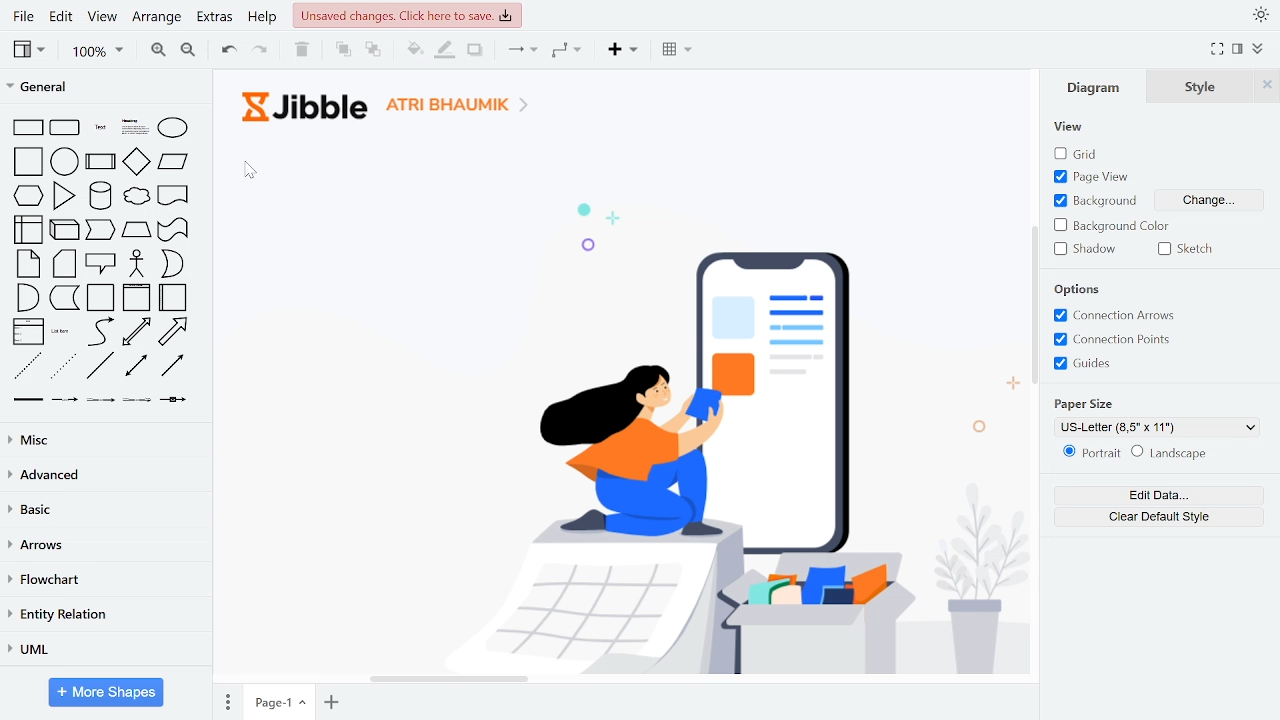  Describe the element at coordinates (64, 194) in the screenshot. I see `general shapes` at that location.